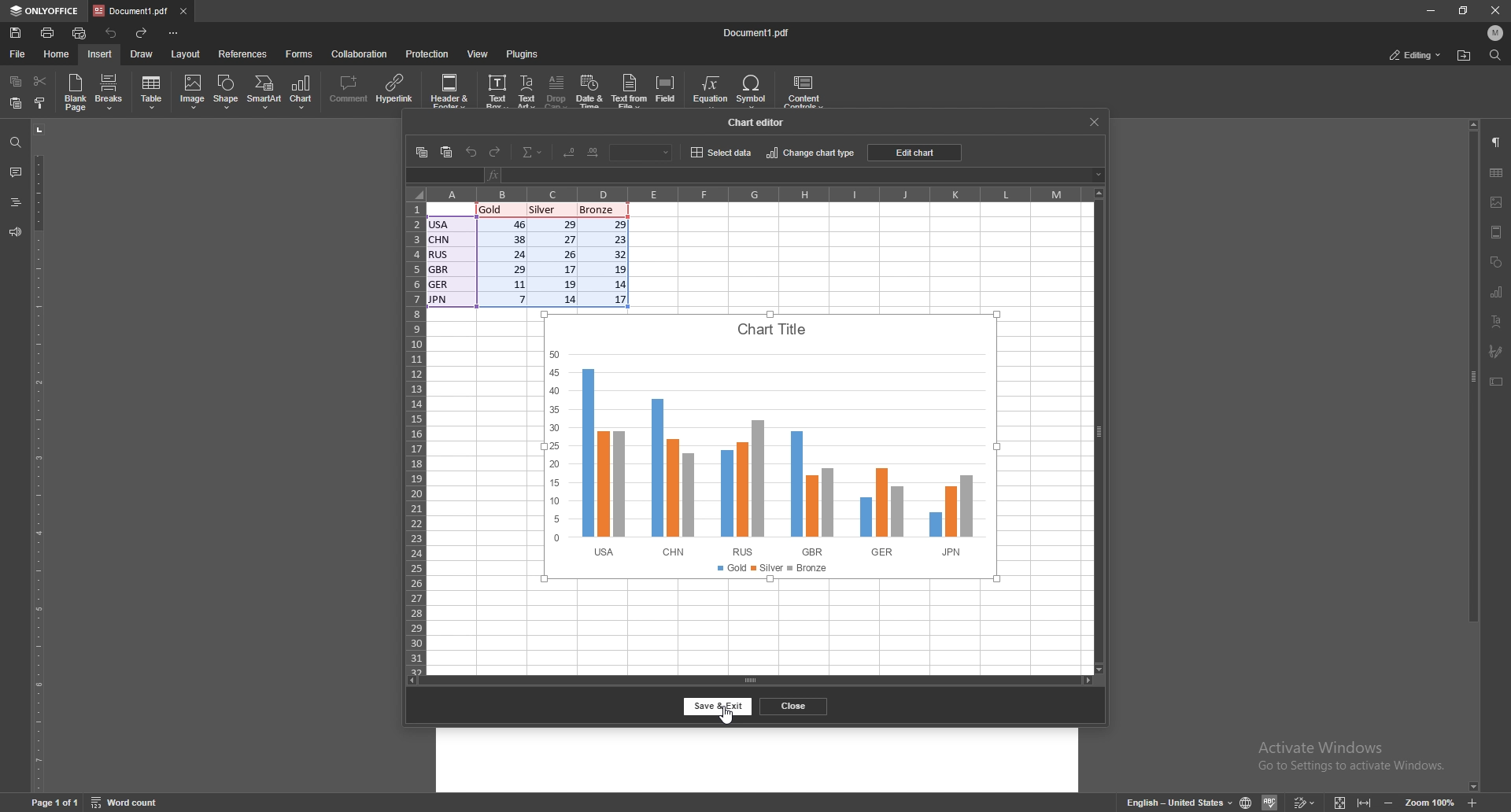  I want to click on columns, so click(745, 193).